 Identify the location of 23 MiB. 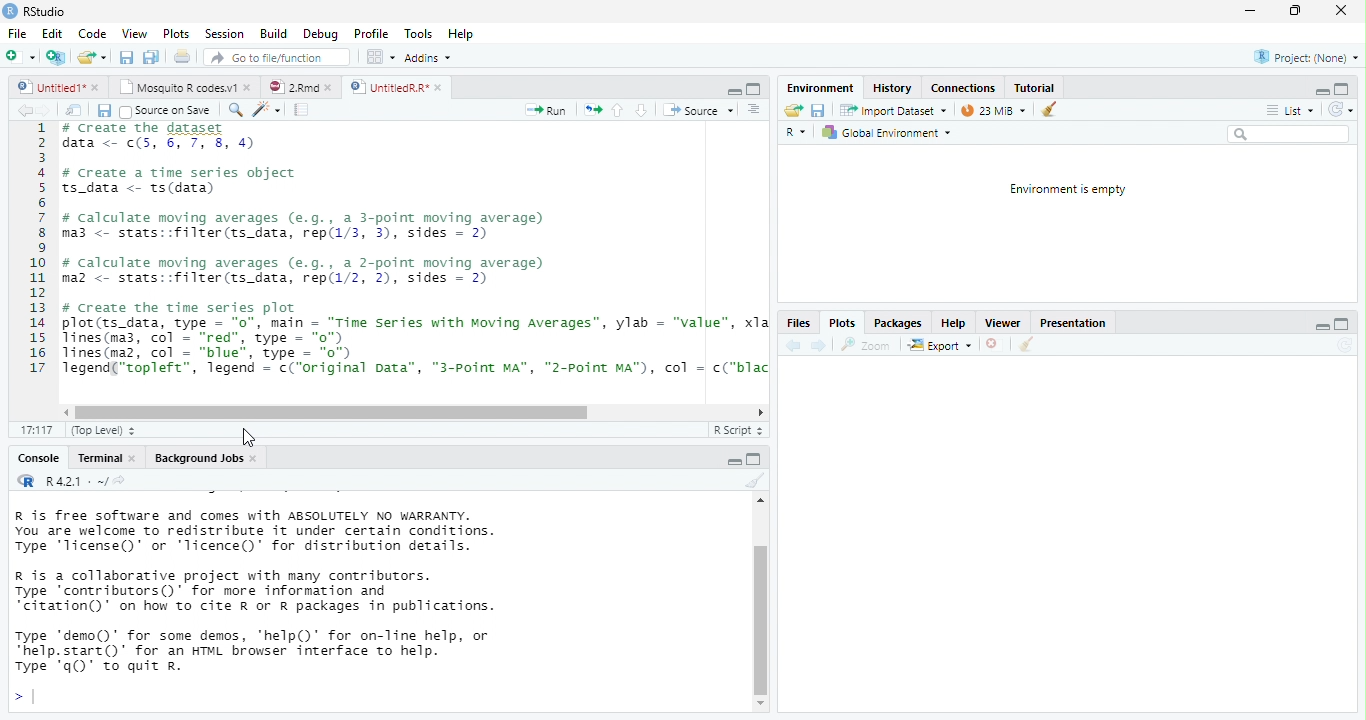
(992, 110).